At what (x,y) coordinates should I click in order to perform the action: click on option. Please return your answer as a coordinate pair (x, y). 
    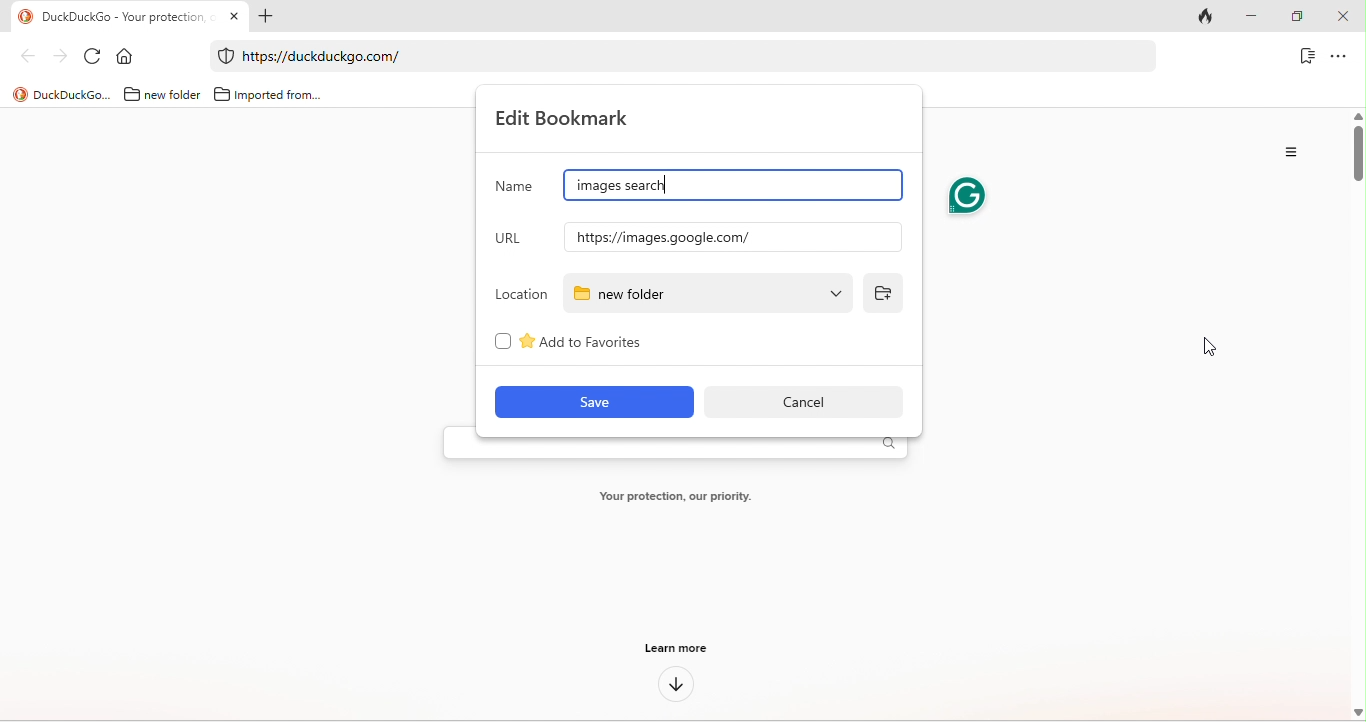
    Looking at the image, I should click on (1340, 57).